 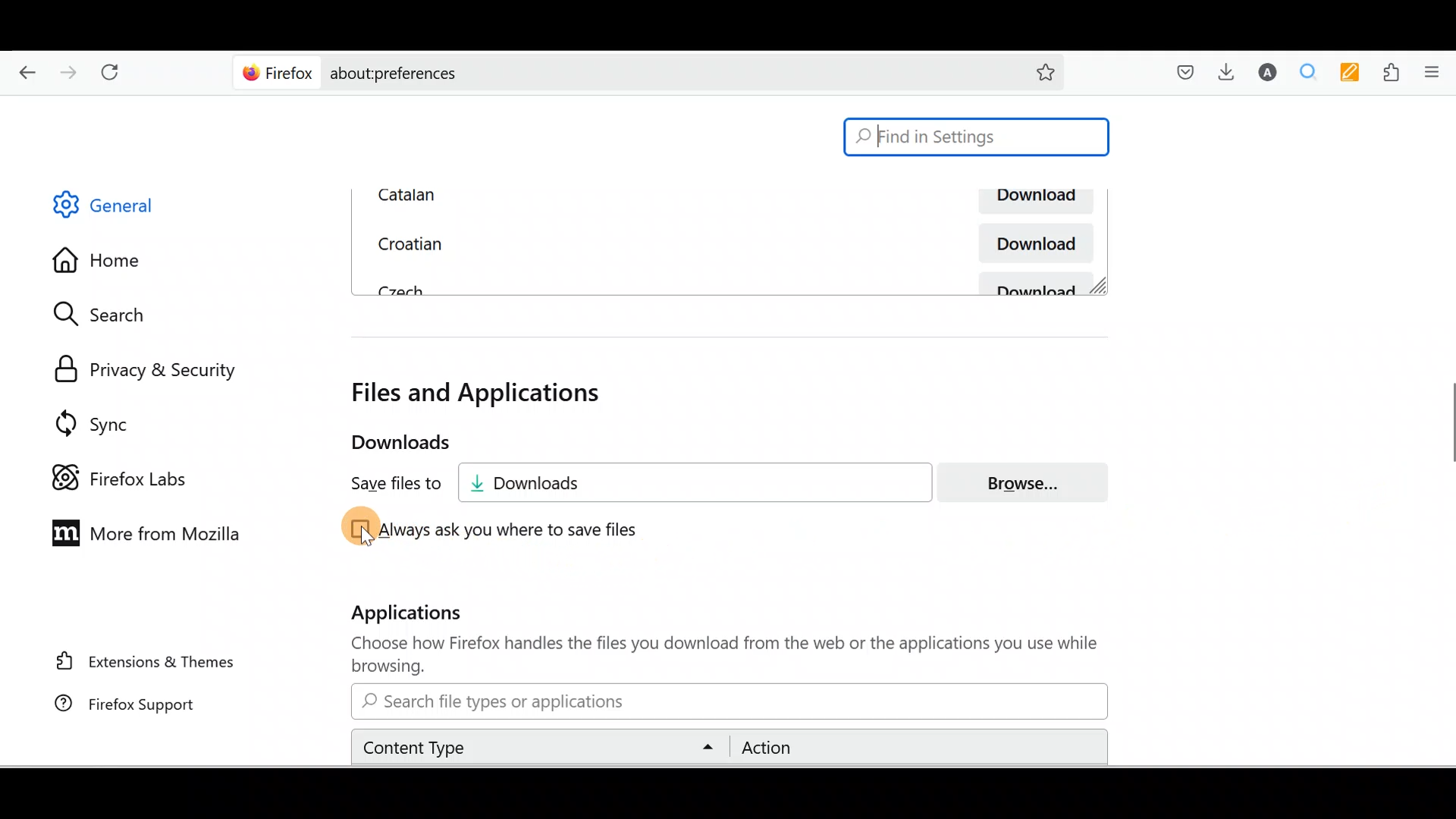 What do you see at coordinates (113, 315) in the screenshot?
I see `Search settings` at bounding box center [113, 315].